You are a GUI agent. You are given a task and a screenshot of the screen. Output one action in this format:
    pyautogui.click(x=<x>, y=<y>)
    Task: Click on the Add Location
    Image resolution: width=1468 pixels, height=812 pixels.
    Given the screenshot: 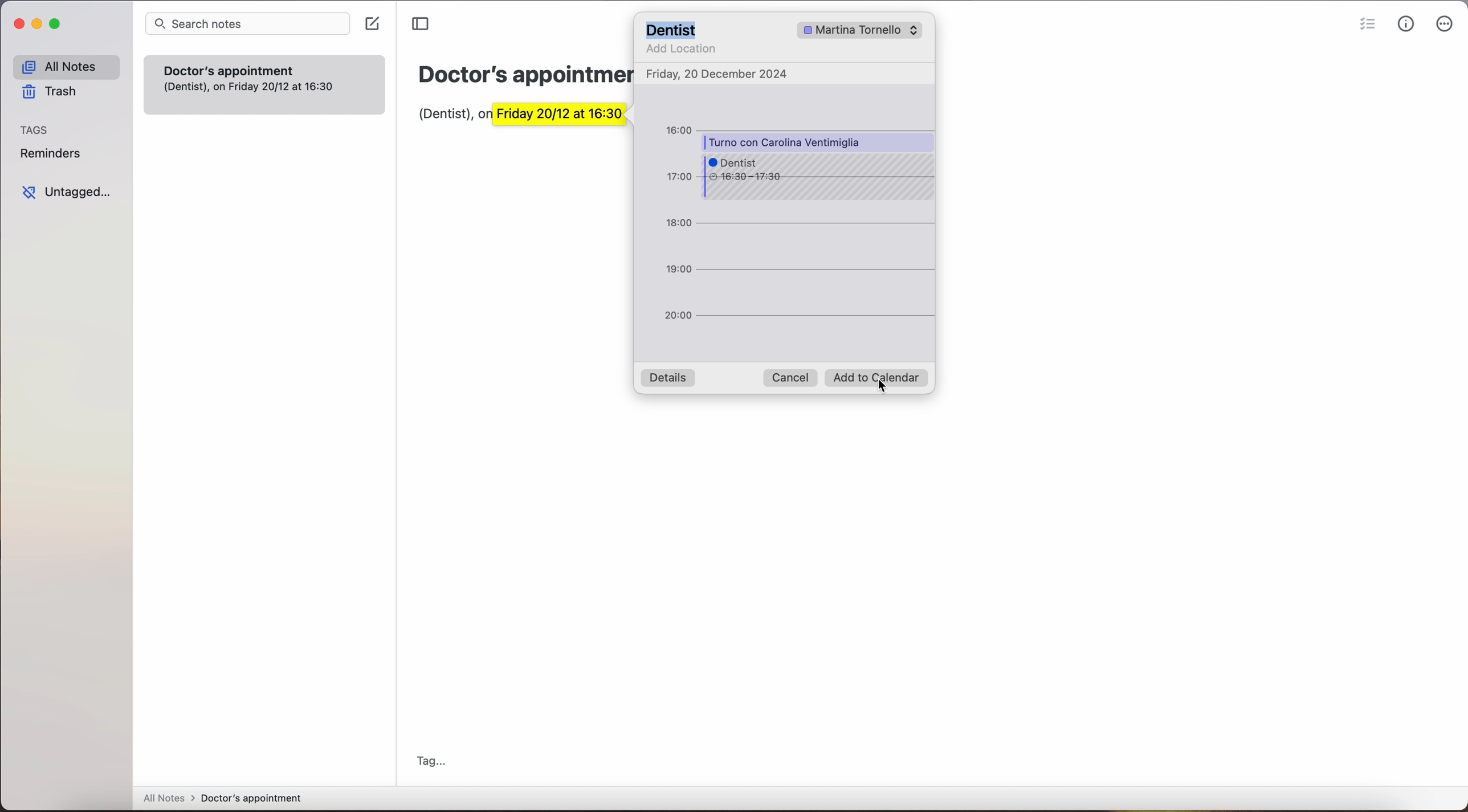 What is the action you would take?
    pyautogui.click(x=680, y=51)
    